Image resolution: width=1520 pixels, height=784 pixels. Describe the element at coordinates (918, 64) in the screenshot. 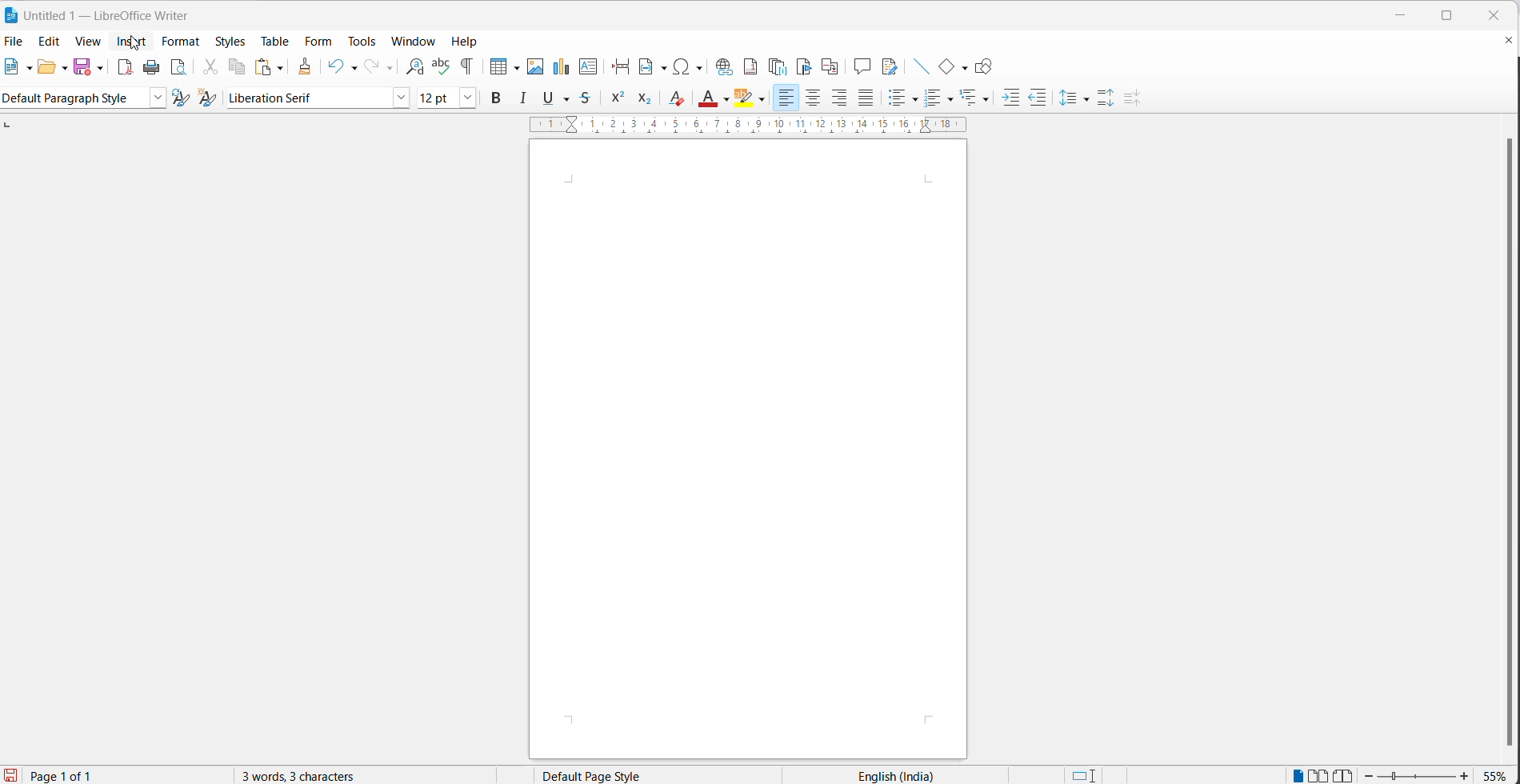

I see `insert line` at that location.